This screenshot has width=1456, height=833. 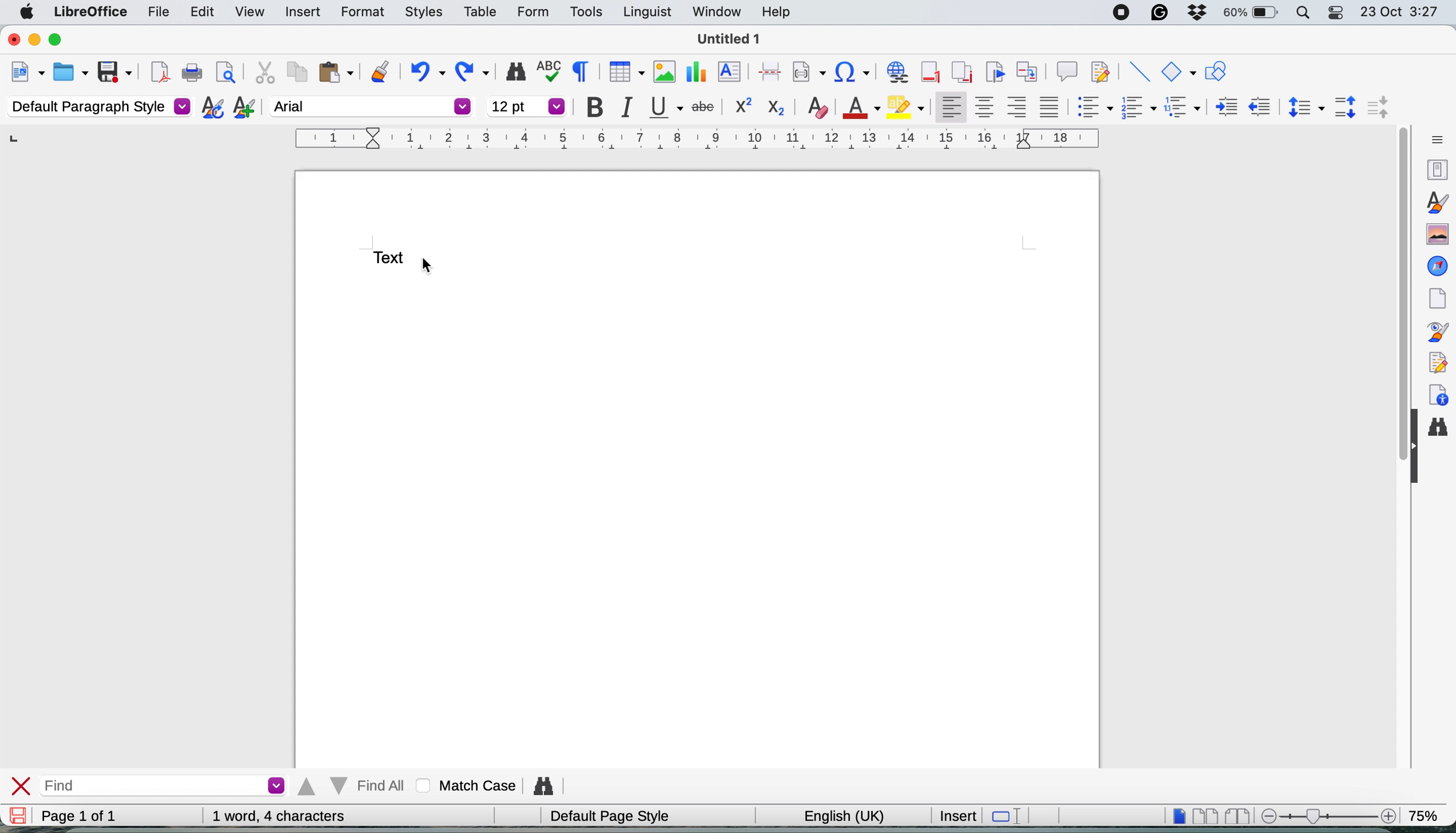 I want to click on help, so click(x=776, y=13).